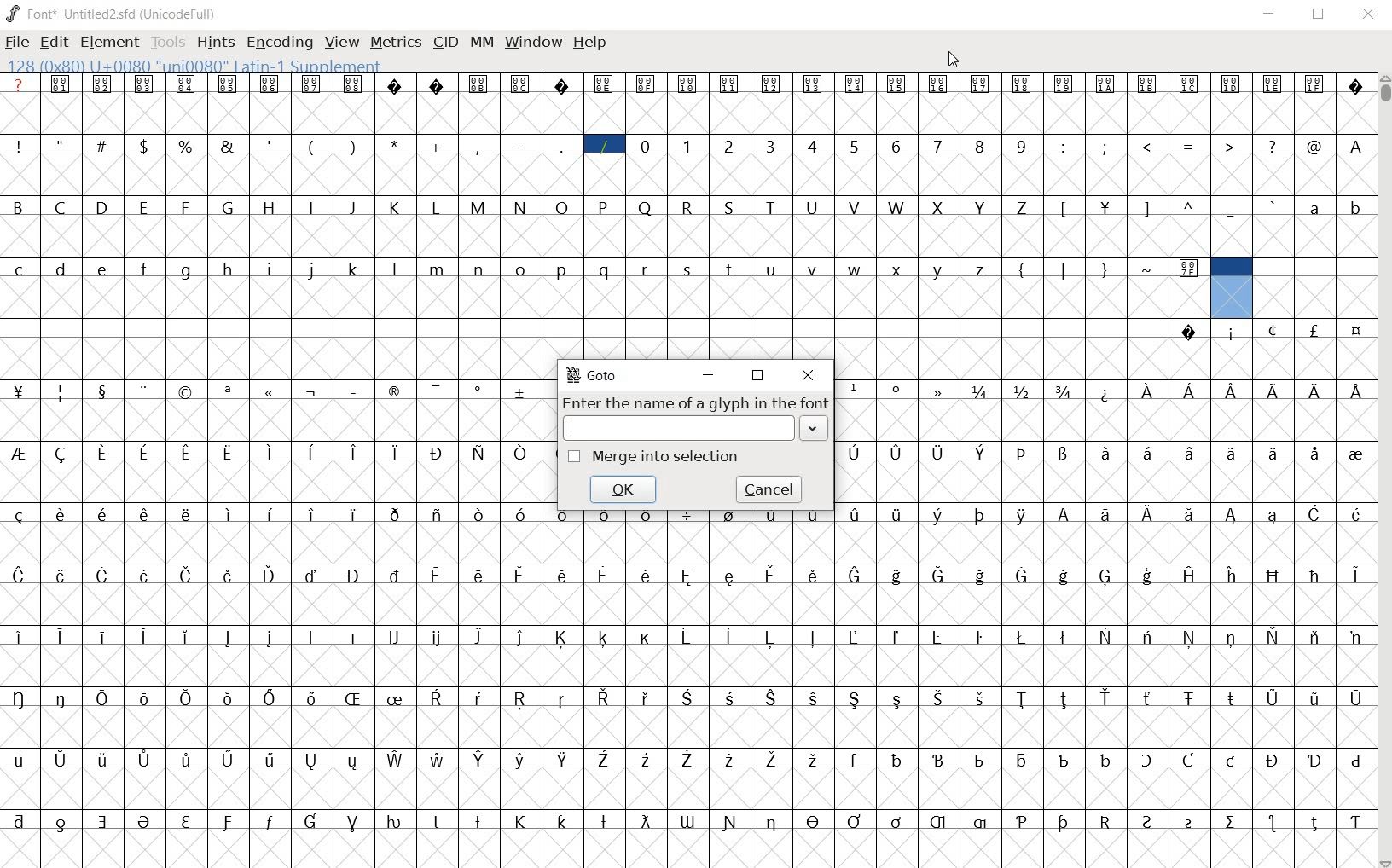 The height and width of the screenshot is (868, 1392). I want to click on Close, so click(1368, 14).